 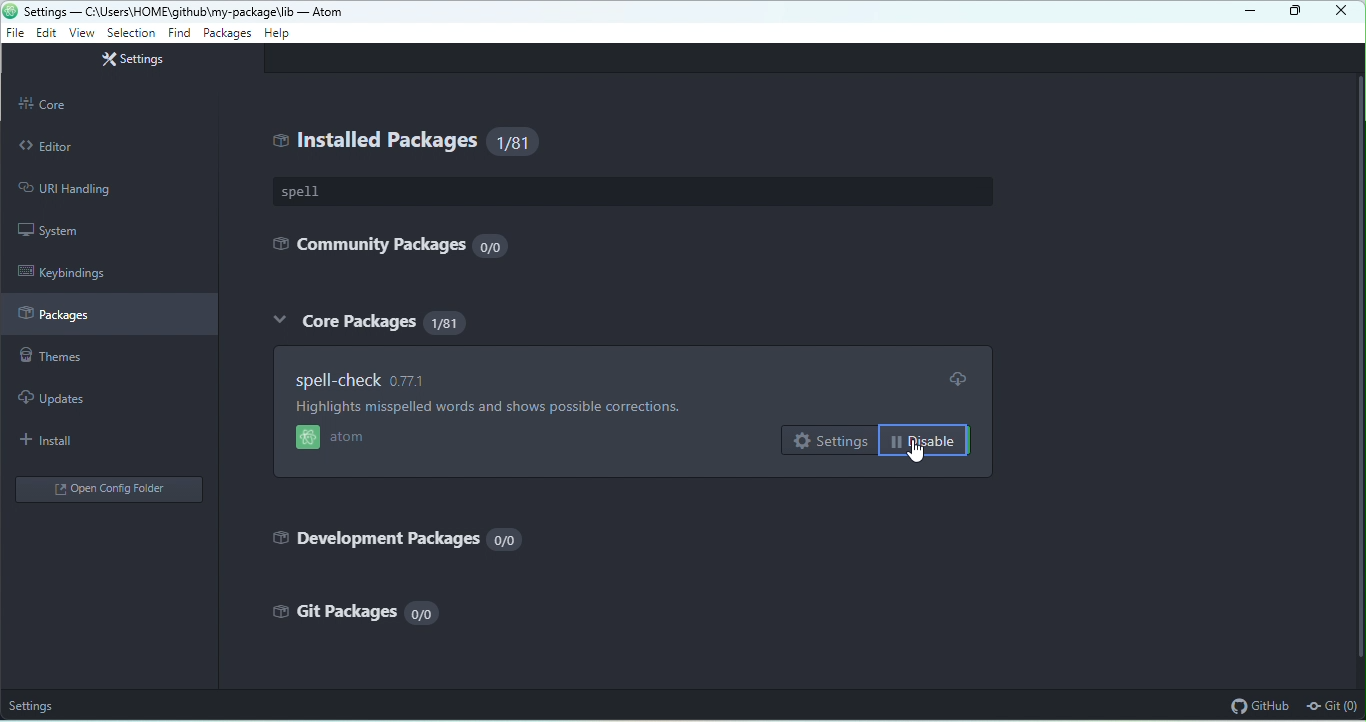 What do you see at coordinates (917, 451) in the screenshot?
I see `cursor` at bounding box center [917, 451].